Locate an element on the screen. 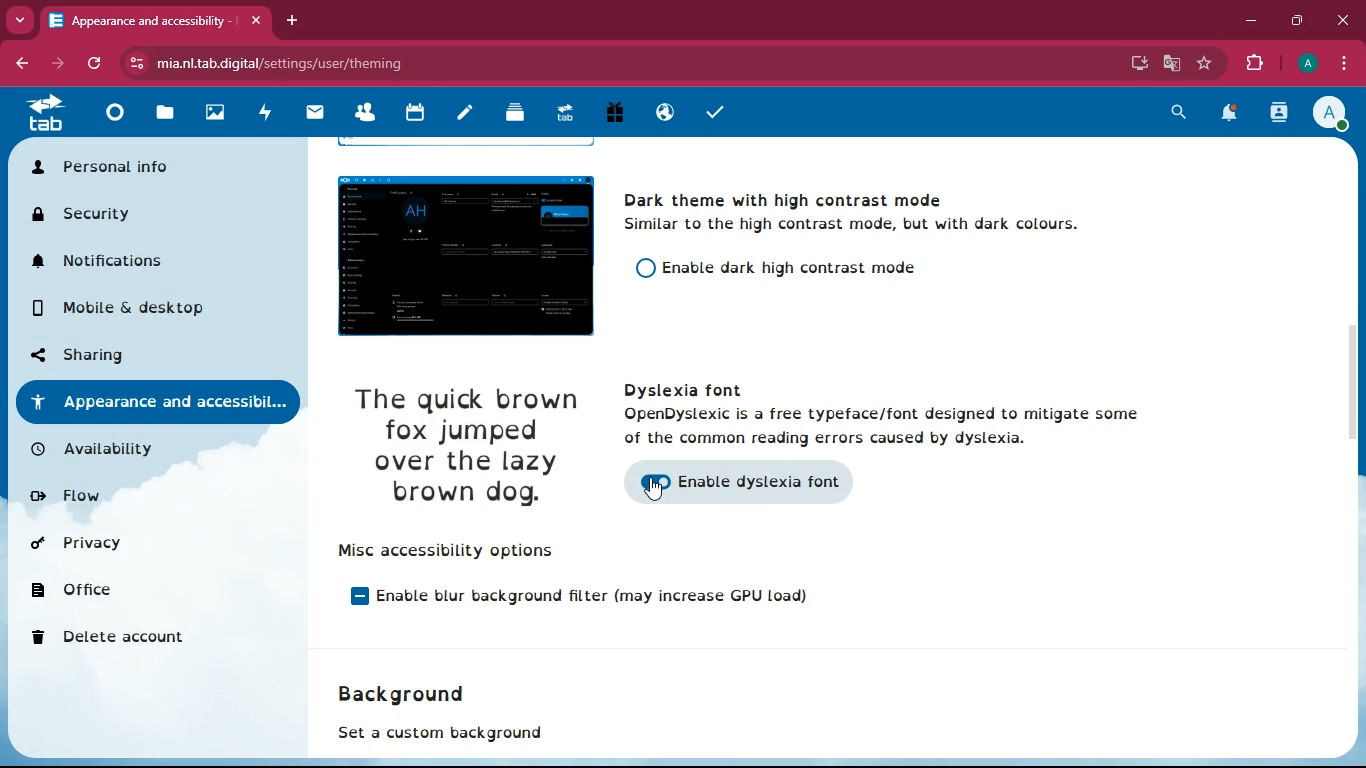 Image resolution: width=1366 pixels, height=768 pixels. more is located at coordinates (20, 20).